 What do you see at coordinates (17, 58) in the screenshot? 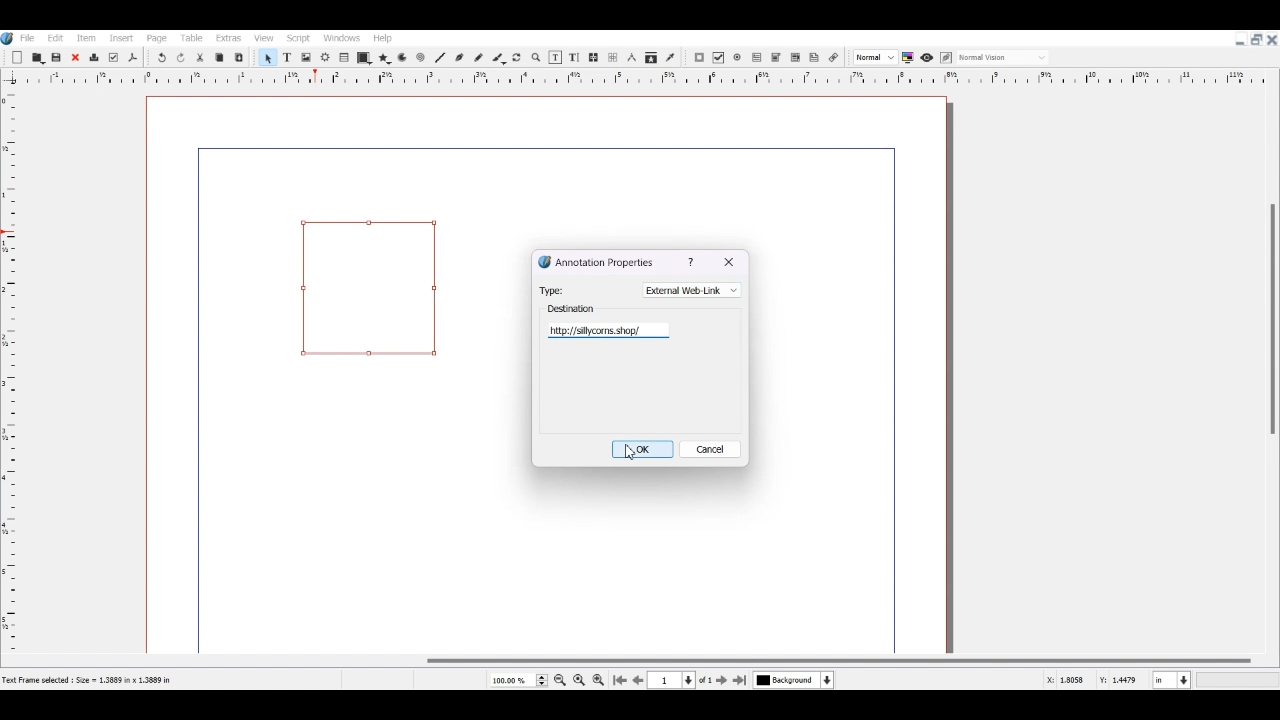
I see `Add` at bounding box center [17, 58].